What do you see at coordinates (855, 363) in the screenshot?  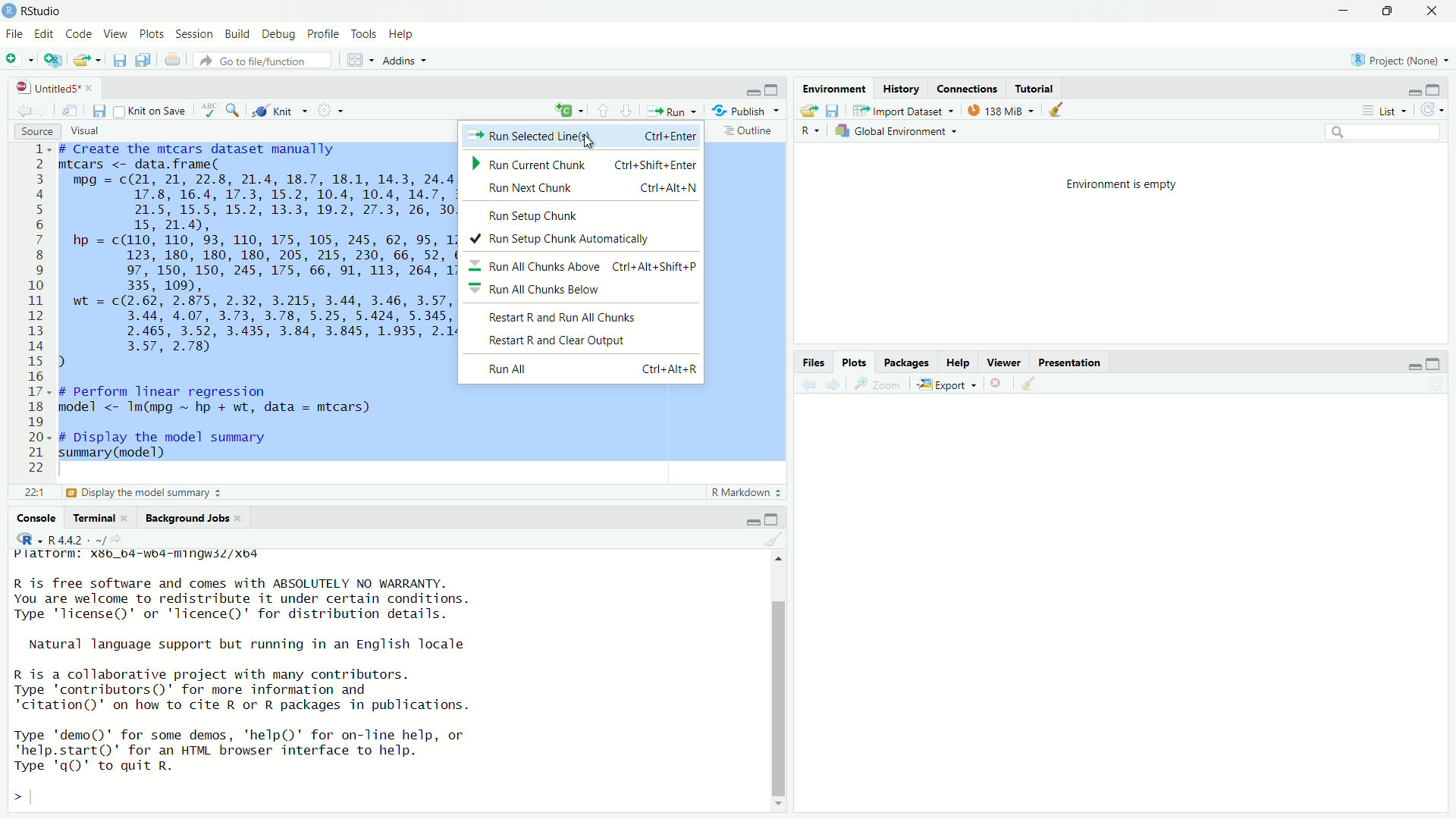 I see `Plots` at bounding box center [855, 363].